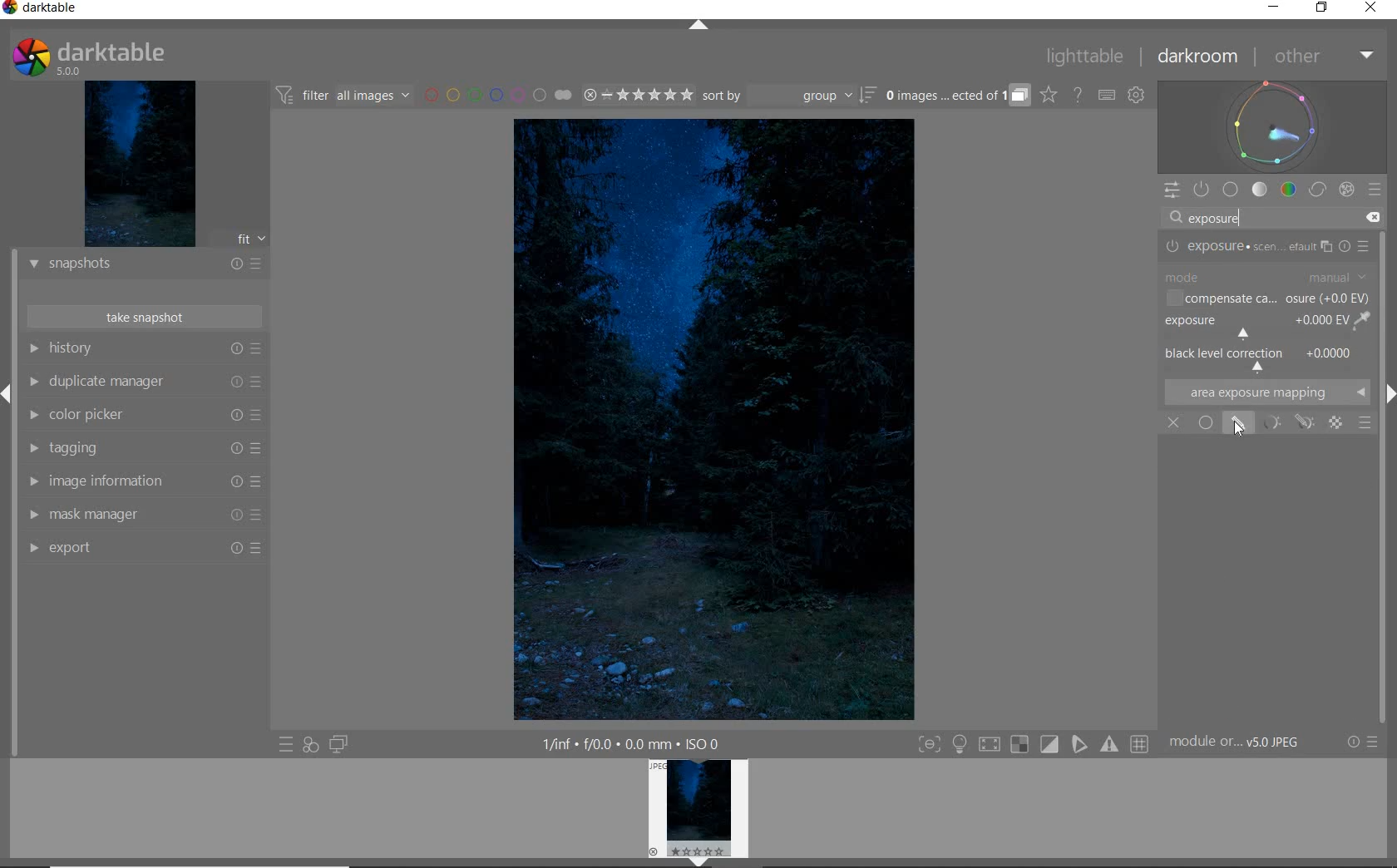  What do you see at coordinates (144, 417) in the screenshot?
I see `COLOR PICKER` at bounding box center [144, 417].